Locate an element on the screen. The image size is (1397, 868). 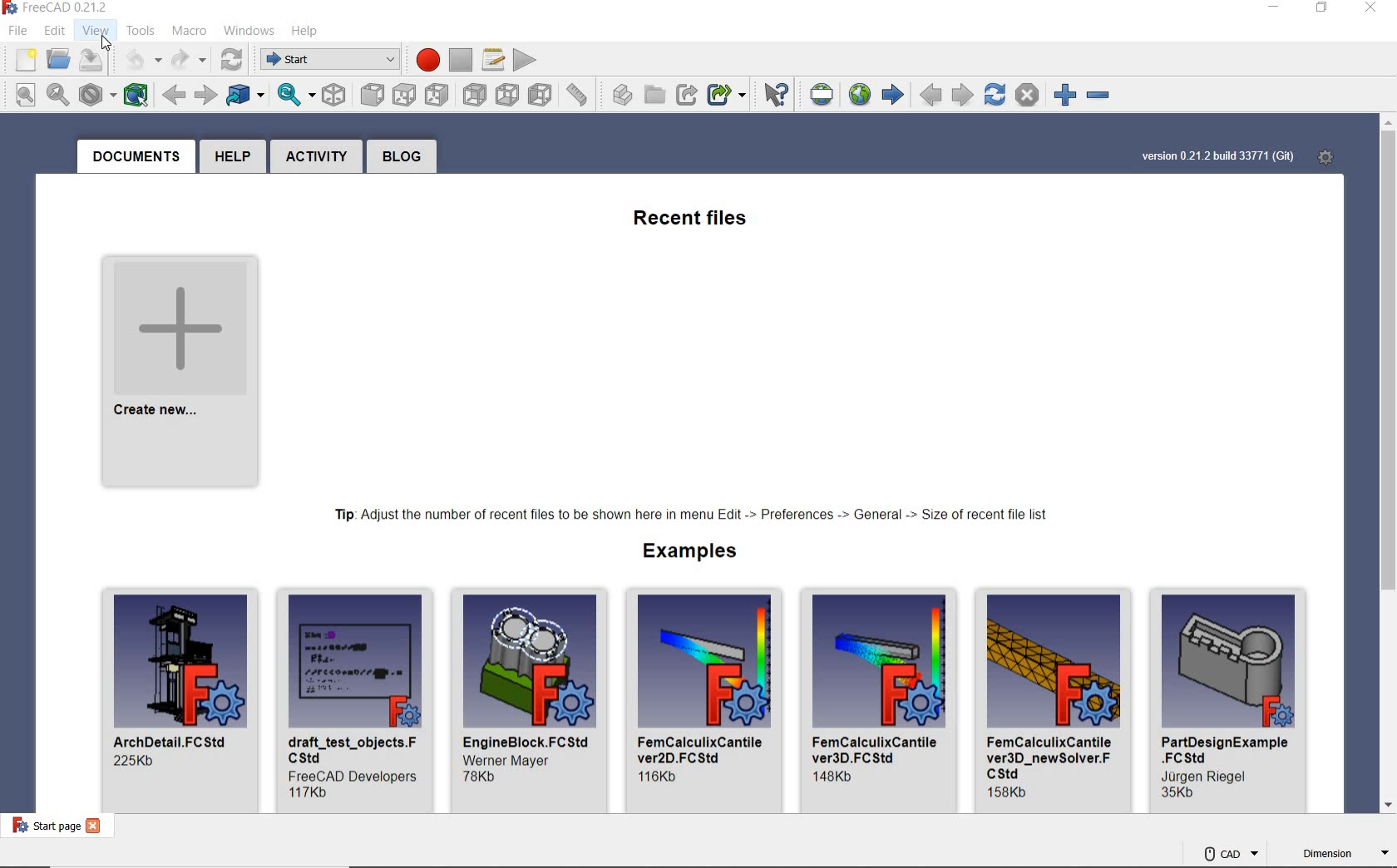
save is located at coordinates (91, 61).